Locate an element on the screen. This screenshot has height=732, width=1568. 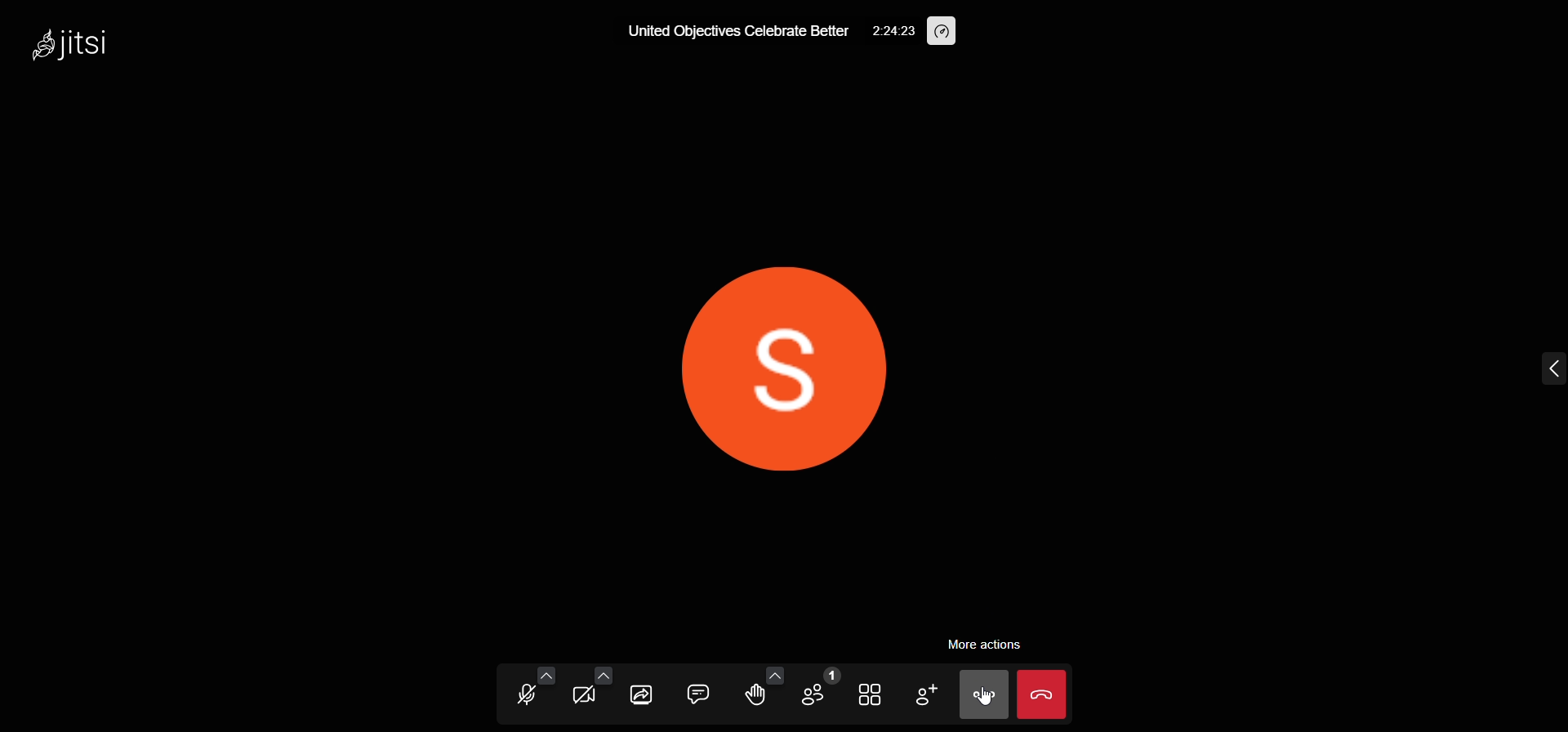
display picture is located at coordinates (774, 361).